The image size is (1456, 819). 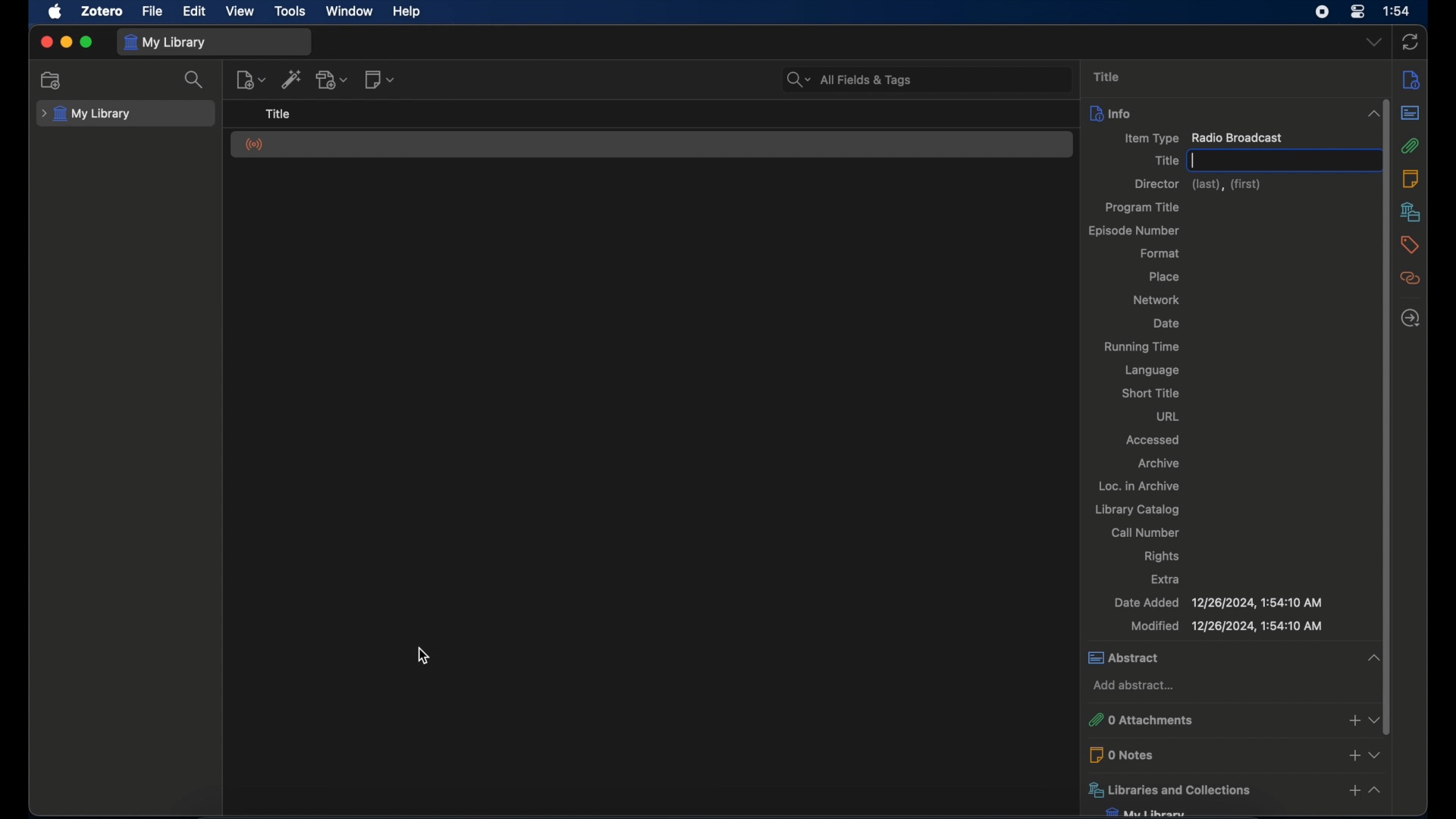 I want to click on title, so click(x=1109, y=77).